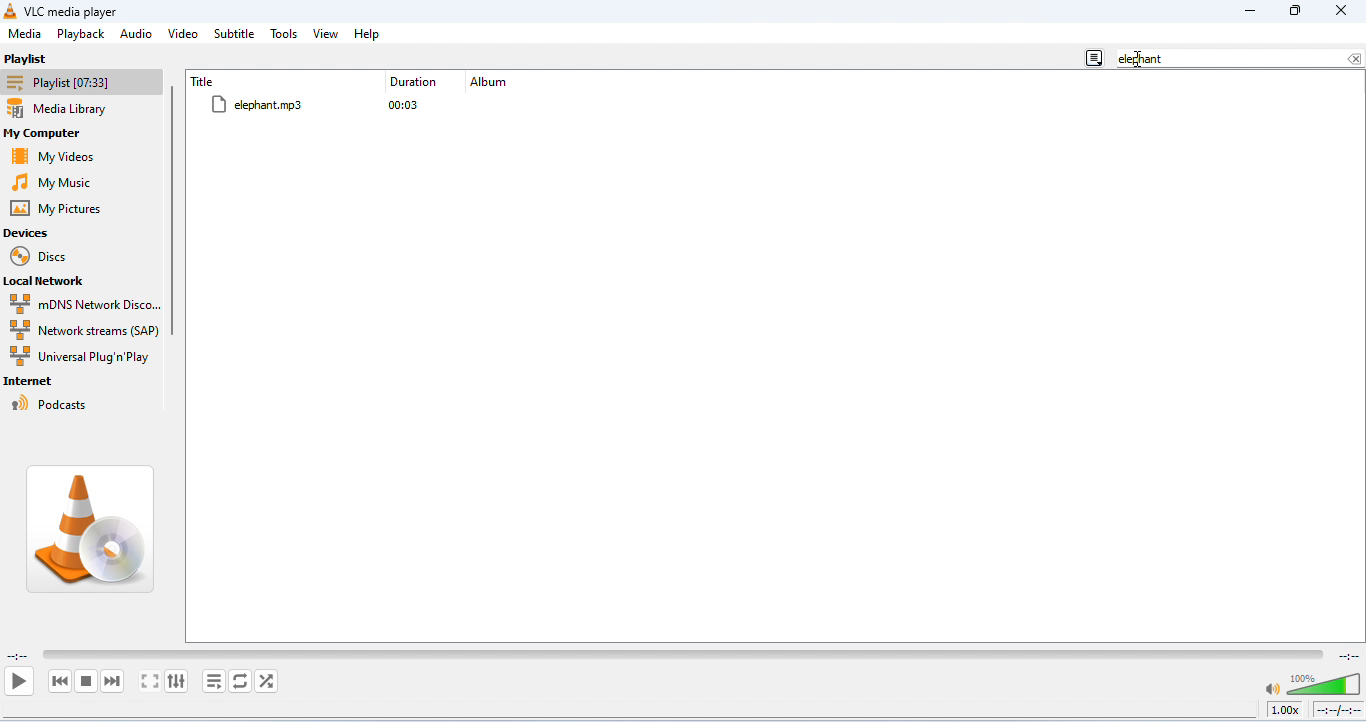  I want to click on local network, so click(55, 282).